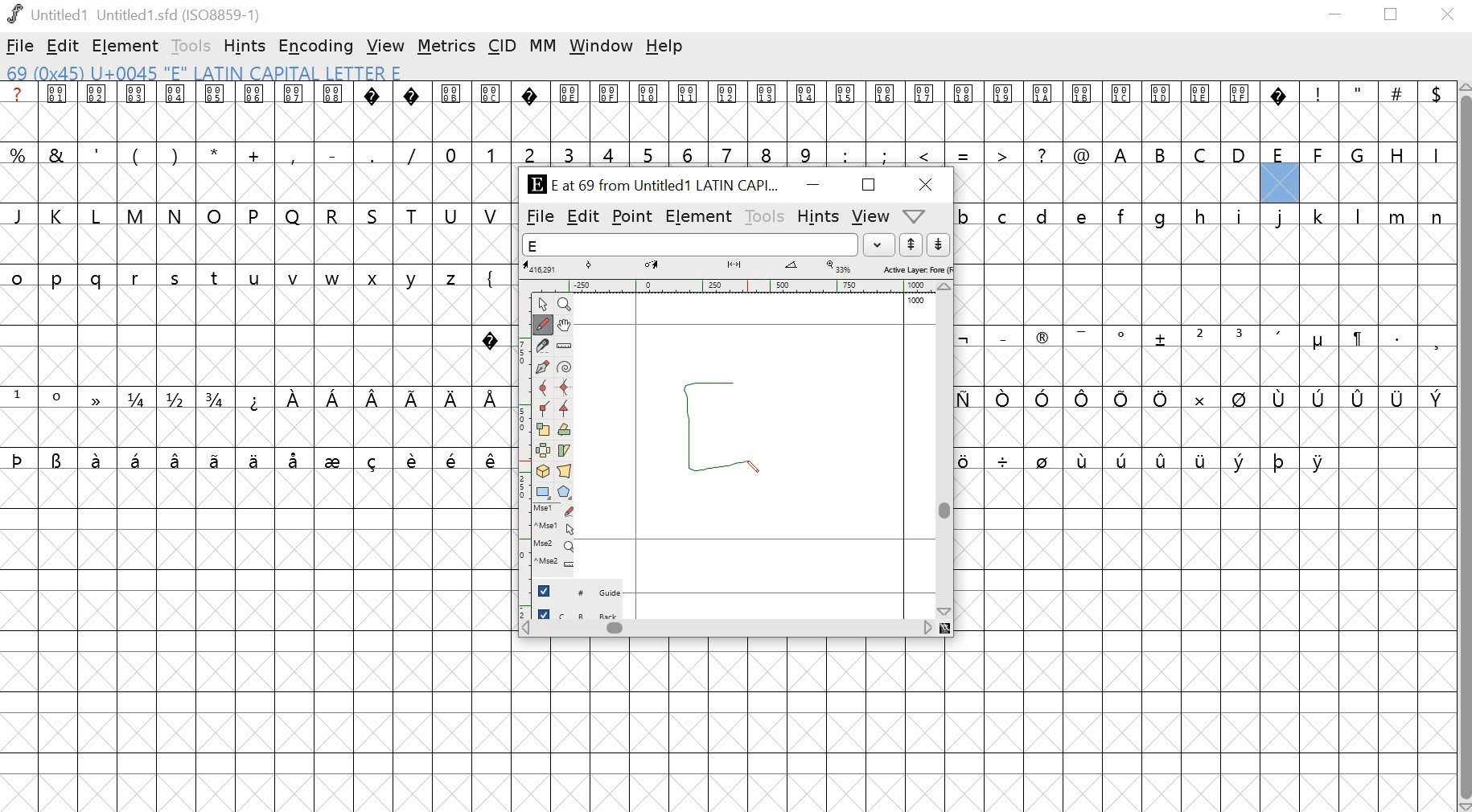  I want to click on empty cells, so click(1202, 182).